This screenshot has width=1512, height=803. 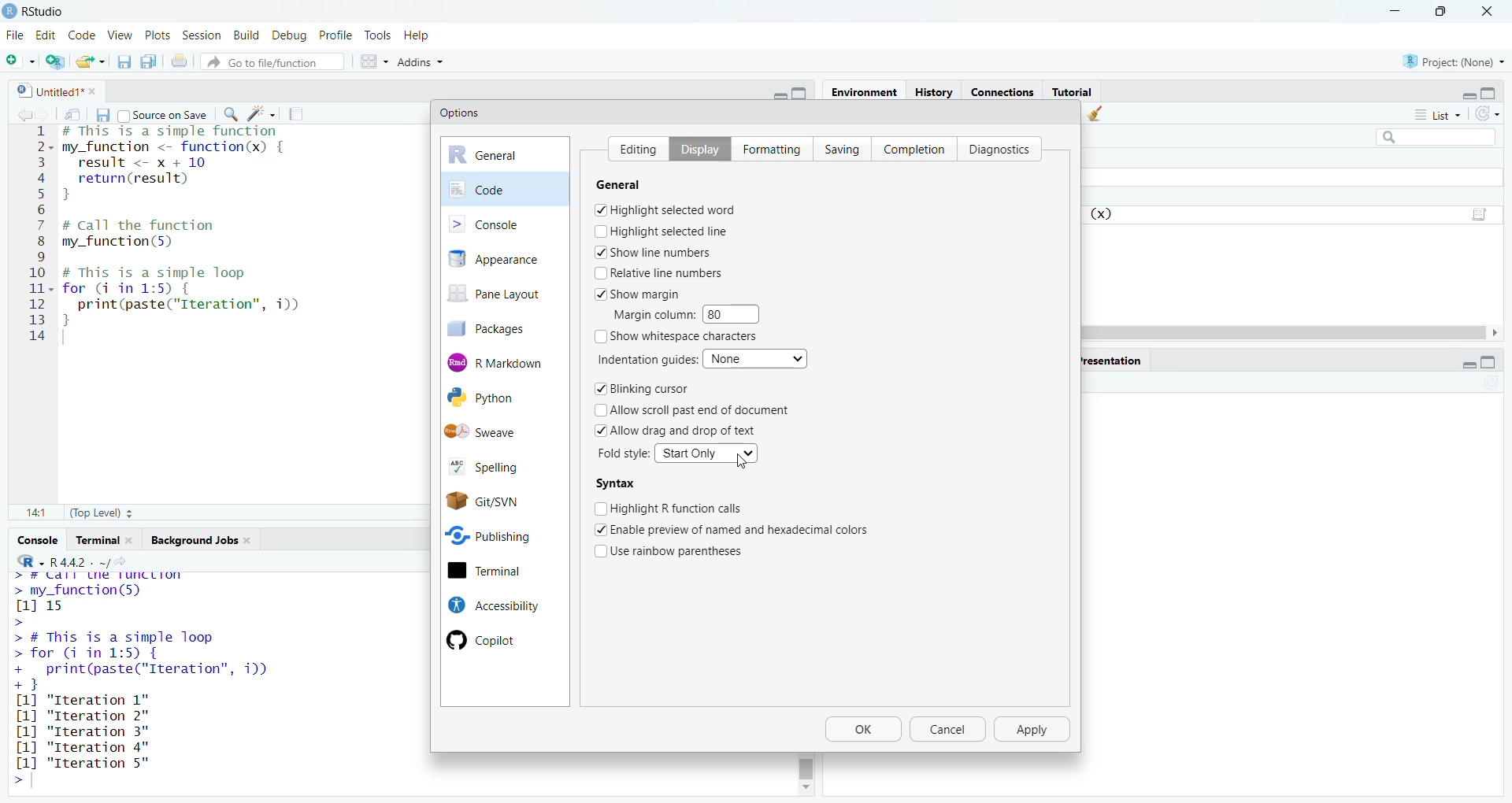 What do you see at coordinates (499, 398) in the screenshot?
I see `Python` at bounding box center [499, 398].